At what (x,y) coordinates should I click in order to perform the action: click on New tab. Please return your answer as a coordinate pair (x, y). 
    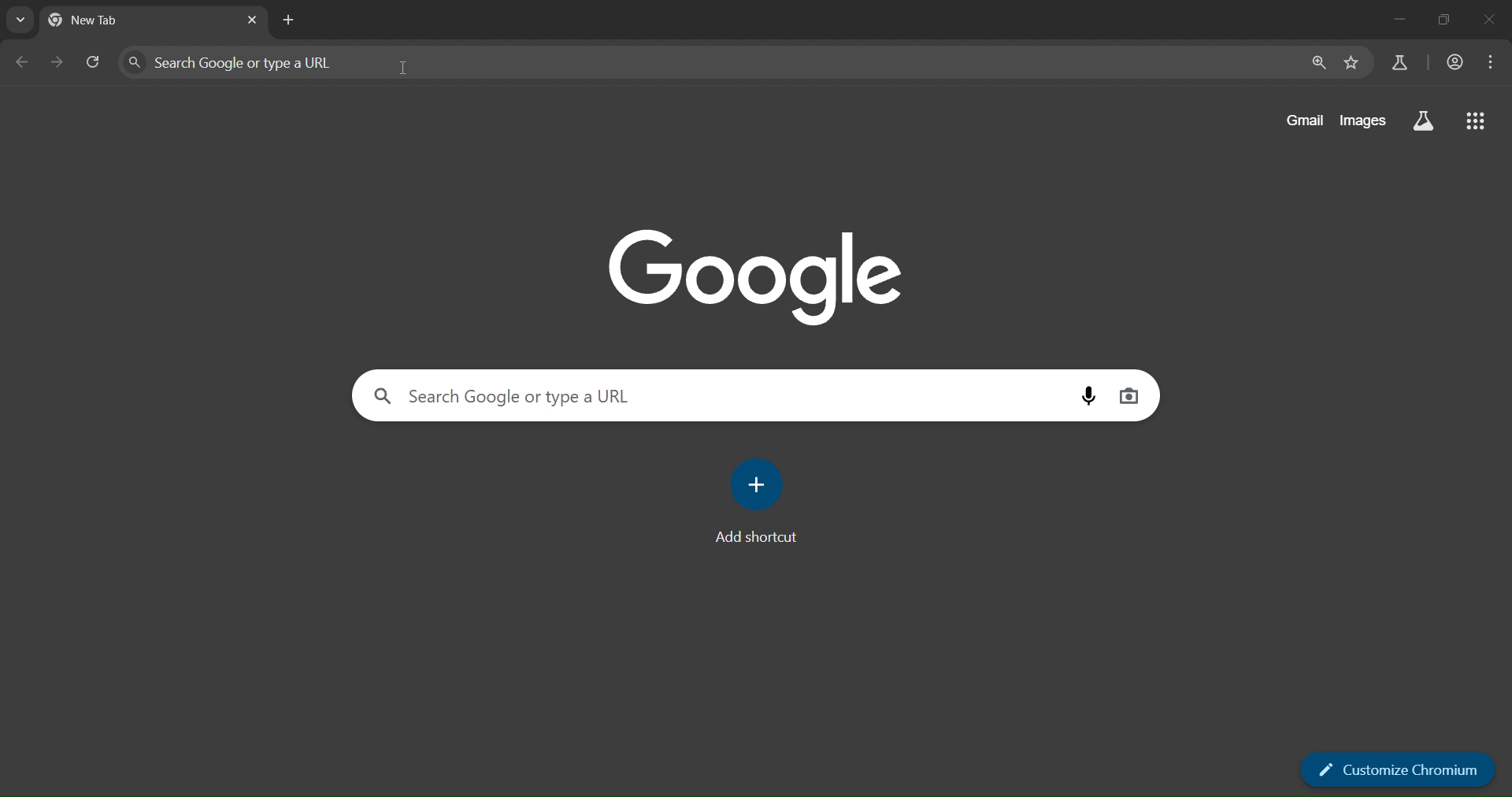
    Looking at the image, I should click on (114, 21).